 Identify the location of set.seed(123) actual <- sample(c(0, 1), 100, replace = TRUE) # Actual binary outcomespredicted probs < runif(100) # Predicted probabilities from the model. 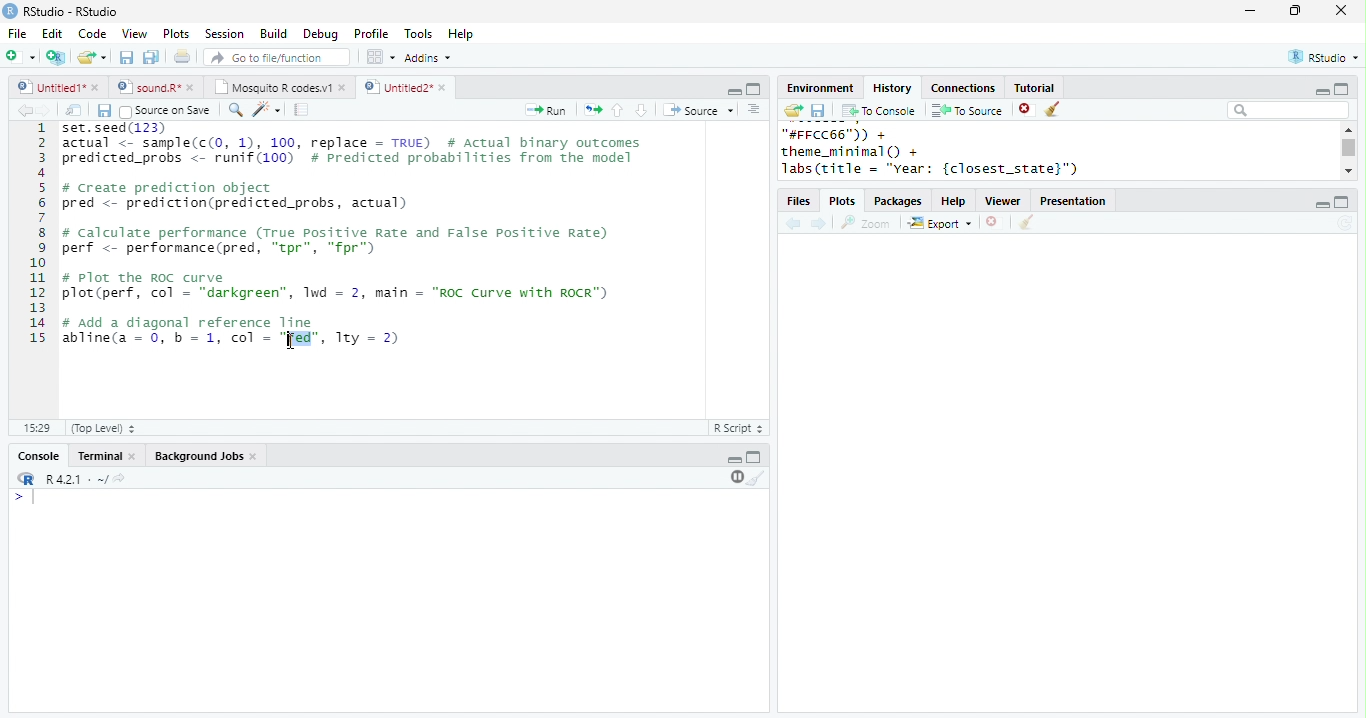
(355, 148).